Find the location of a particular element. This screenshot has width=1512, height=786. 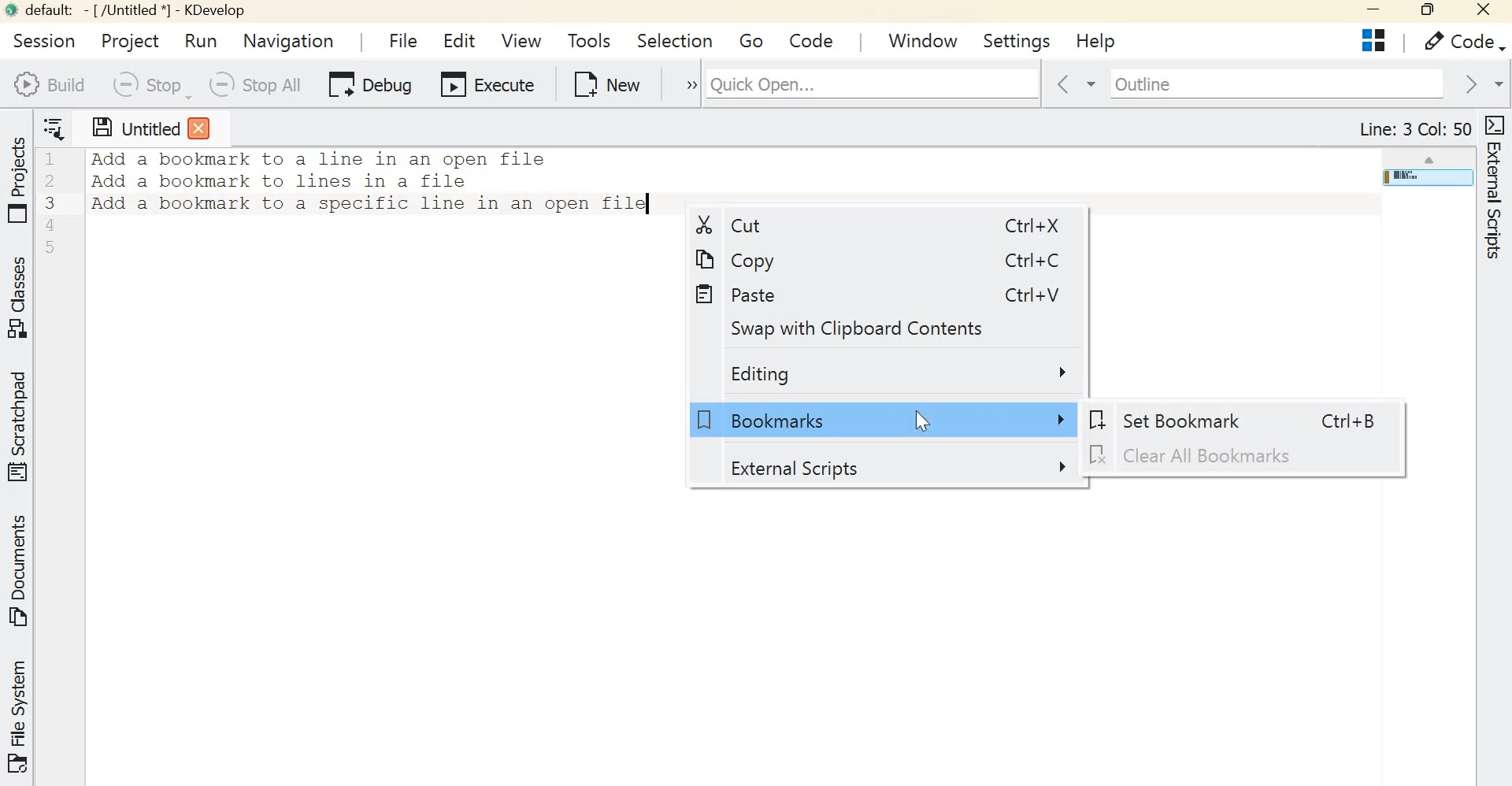

code is located at coordinates (812, 39).